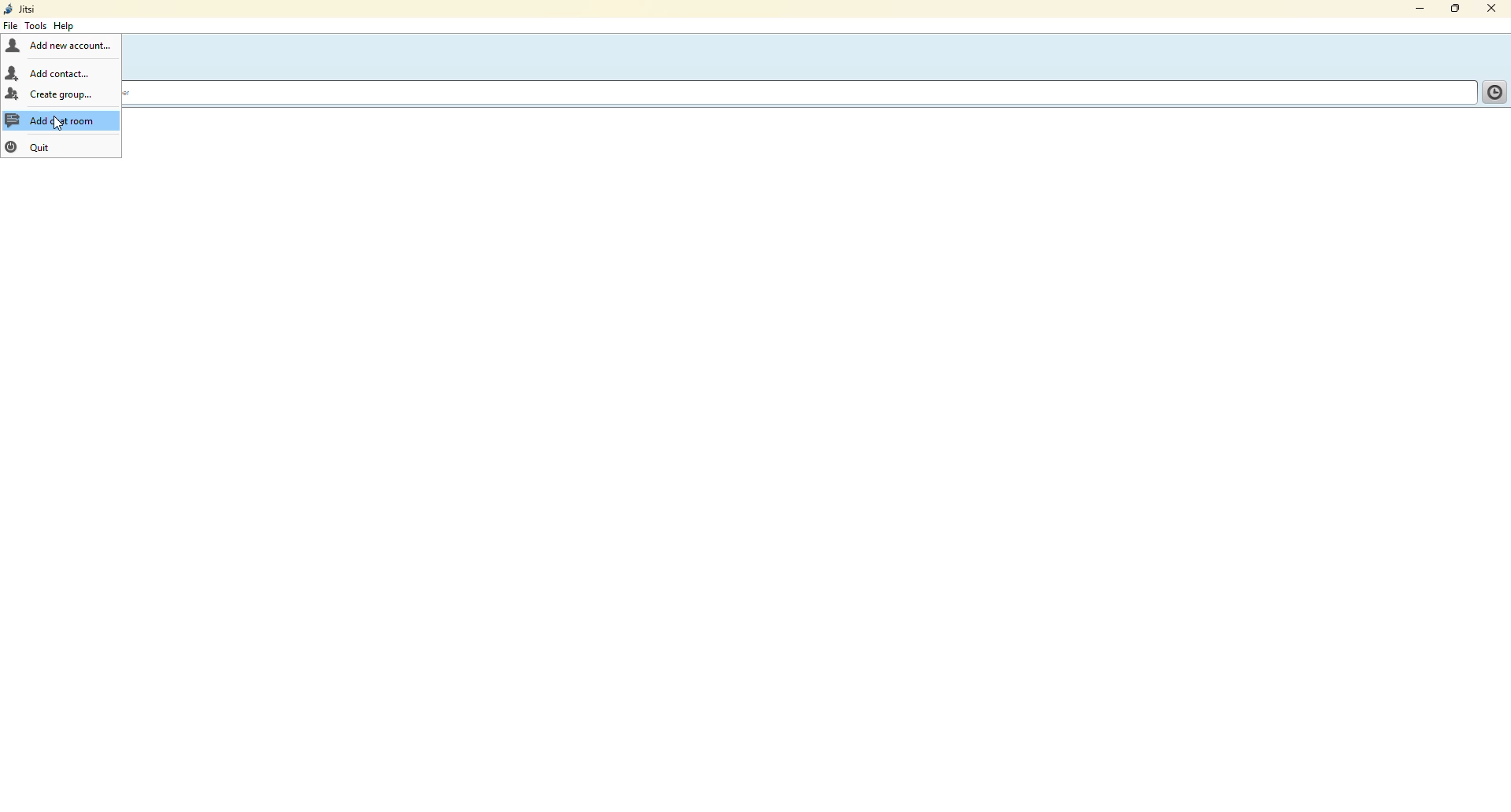  What do you see at coordinates (39, 147) in the screenshot?
I see `quit` at bounding box center [39, 147].